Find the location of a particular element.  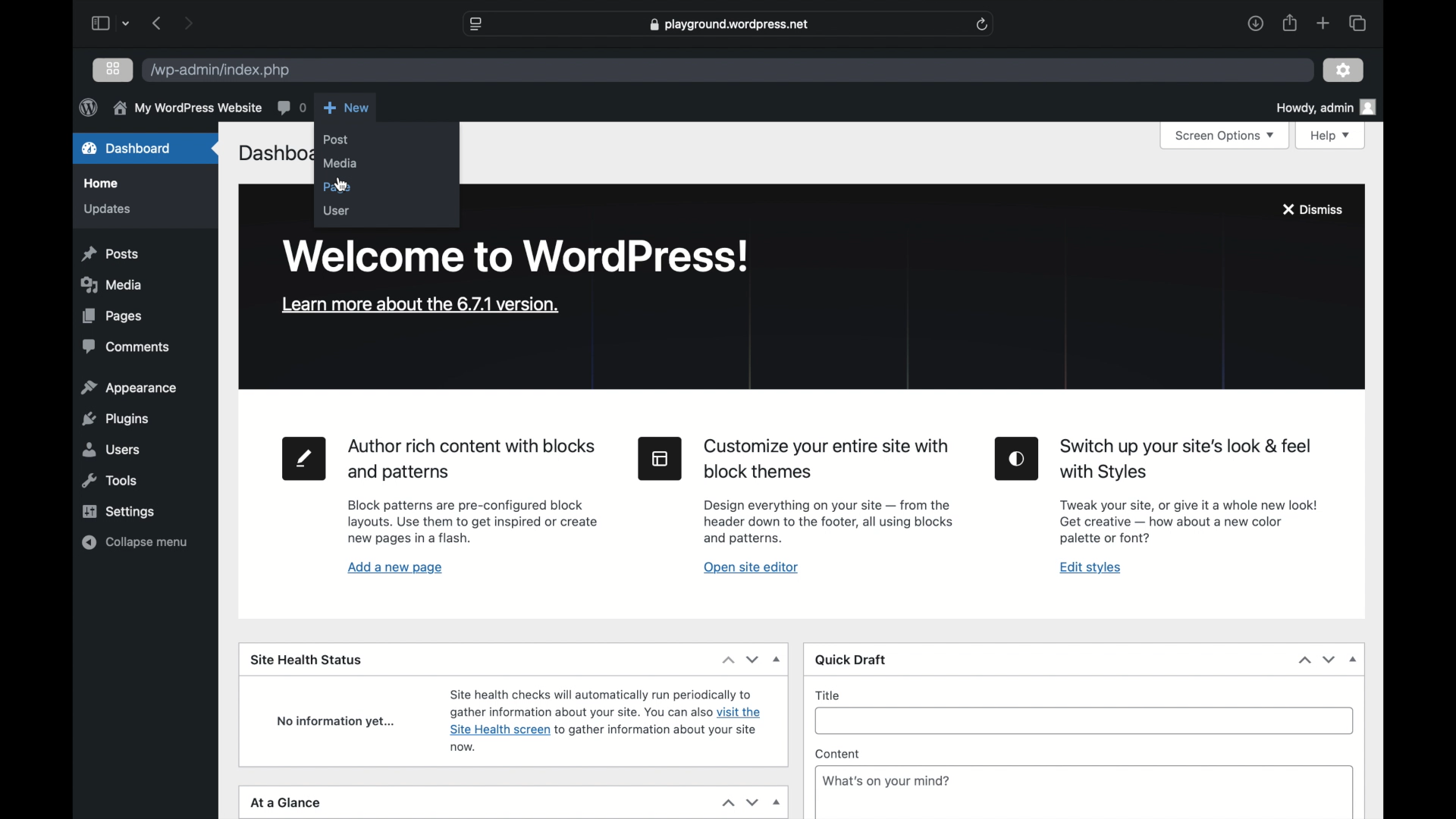

dropdown is located at coordinates (1353, 660).